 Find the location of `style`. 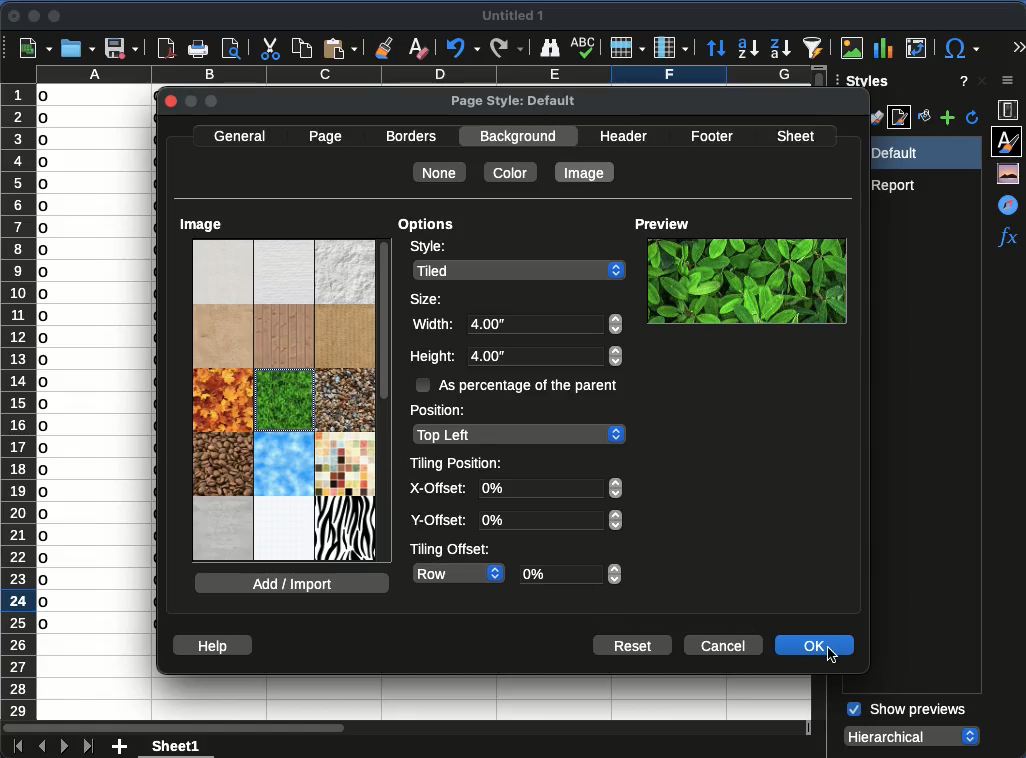

style is located at coordinates (427, 249).